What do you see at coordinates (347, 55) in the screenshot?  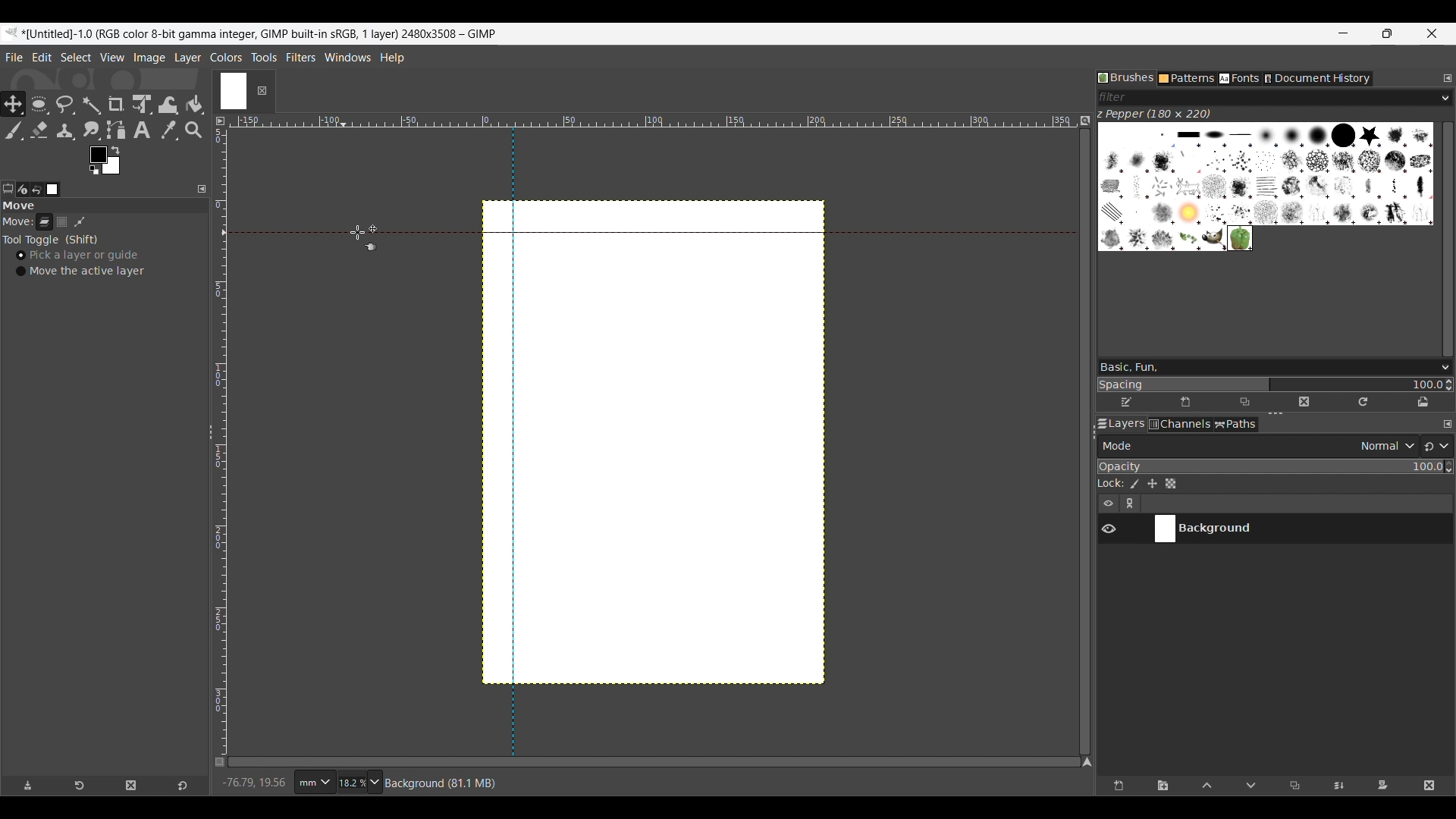 I see `Windows menu` at bounding box center [347, 55].